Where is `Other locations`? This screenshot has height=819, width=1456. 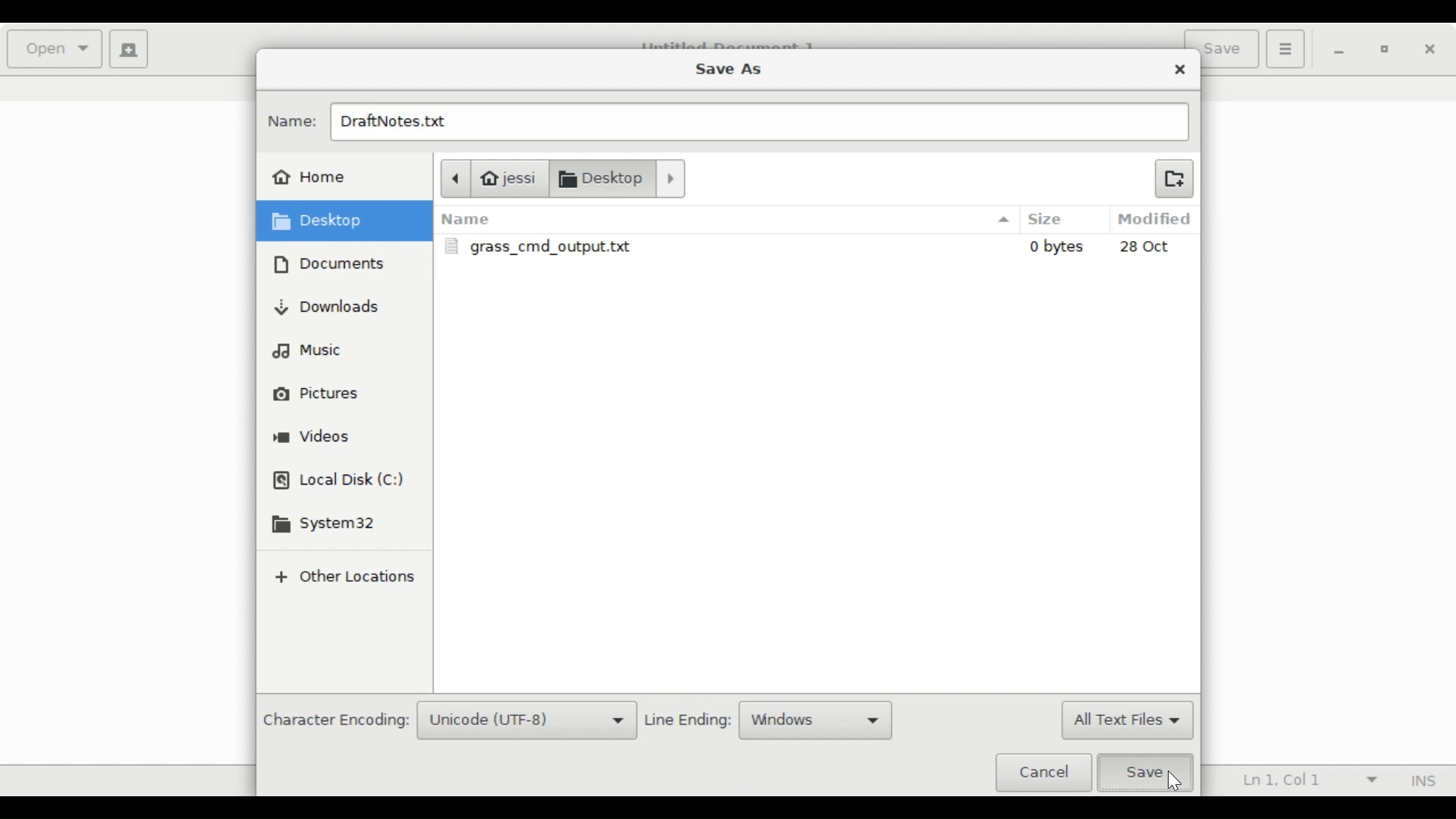 Other locations is located at coordinates (343, 579).